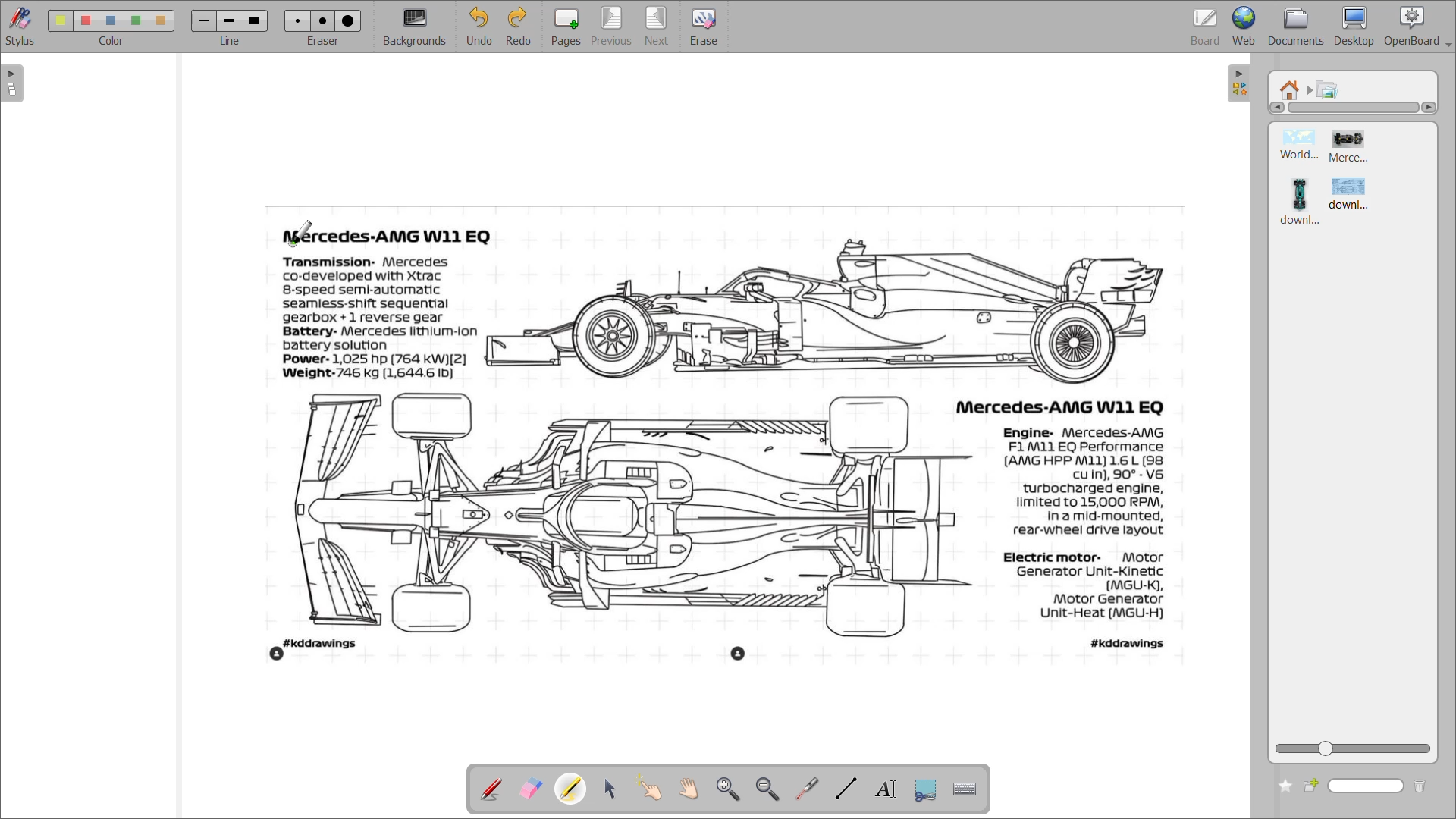 The width and height of the screenshot is (1456, 819). What do you see at coordinates (494, 788) in the screenshot?
I see `annotate document` at bounding box center [494, 788].